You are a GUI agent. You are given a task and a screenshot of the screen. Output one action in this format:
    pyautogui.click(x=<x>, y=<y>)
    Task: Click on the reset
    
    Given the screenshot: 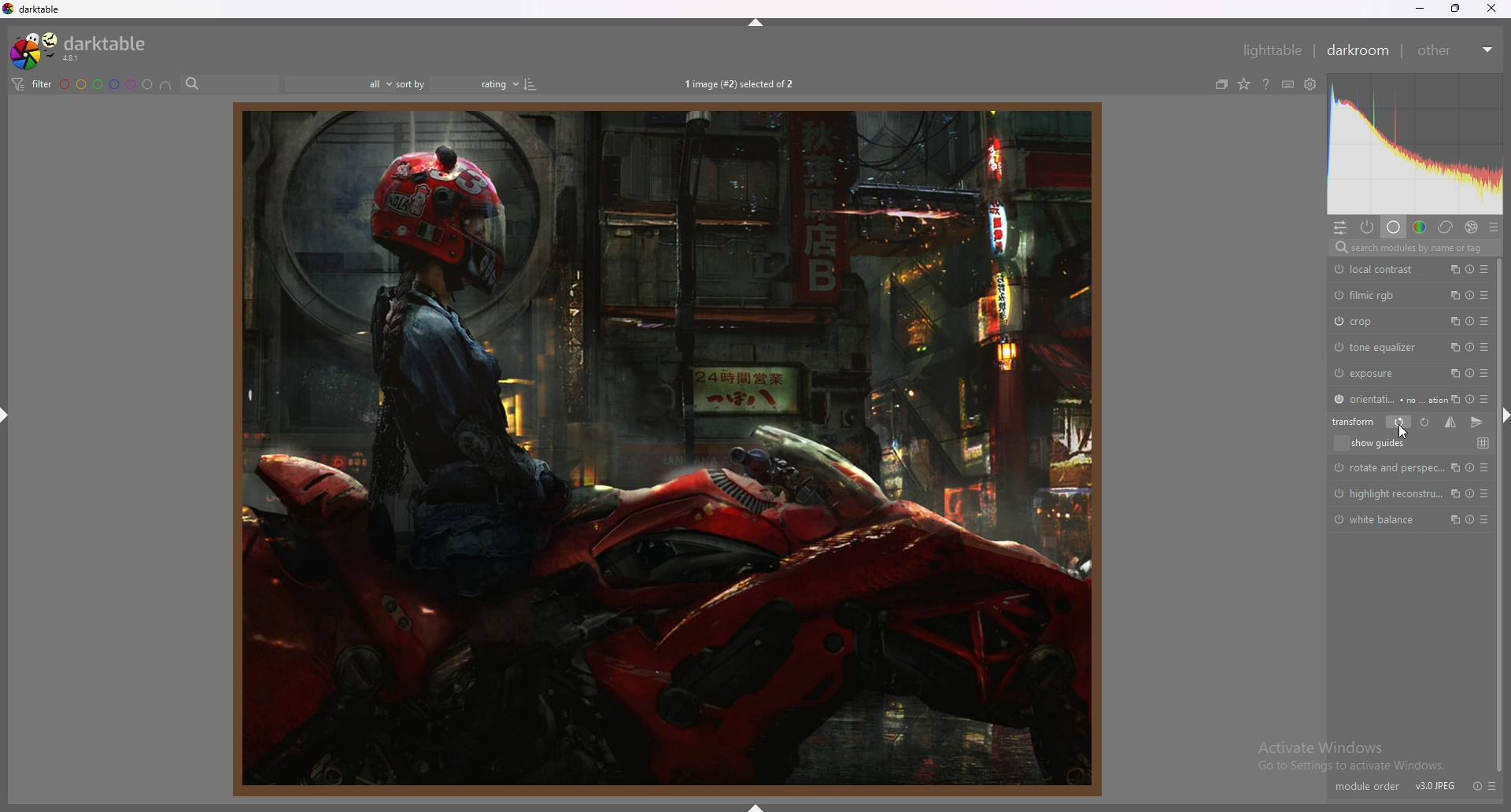 What is the action you would take?
    pyautogui.click(x=1470, y=294)
    